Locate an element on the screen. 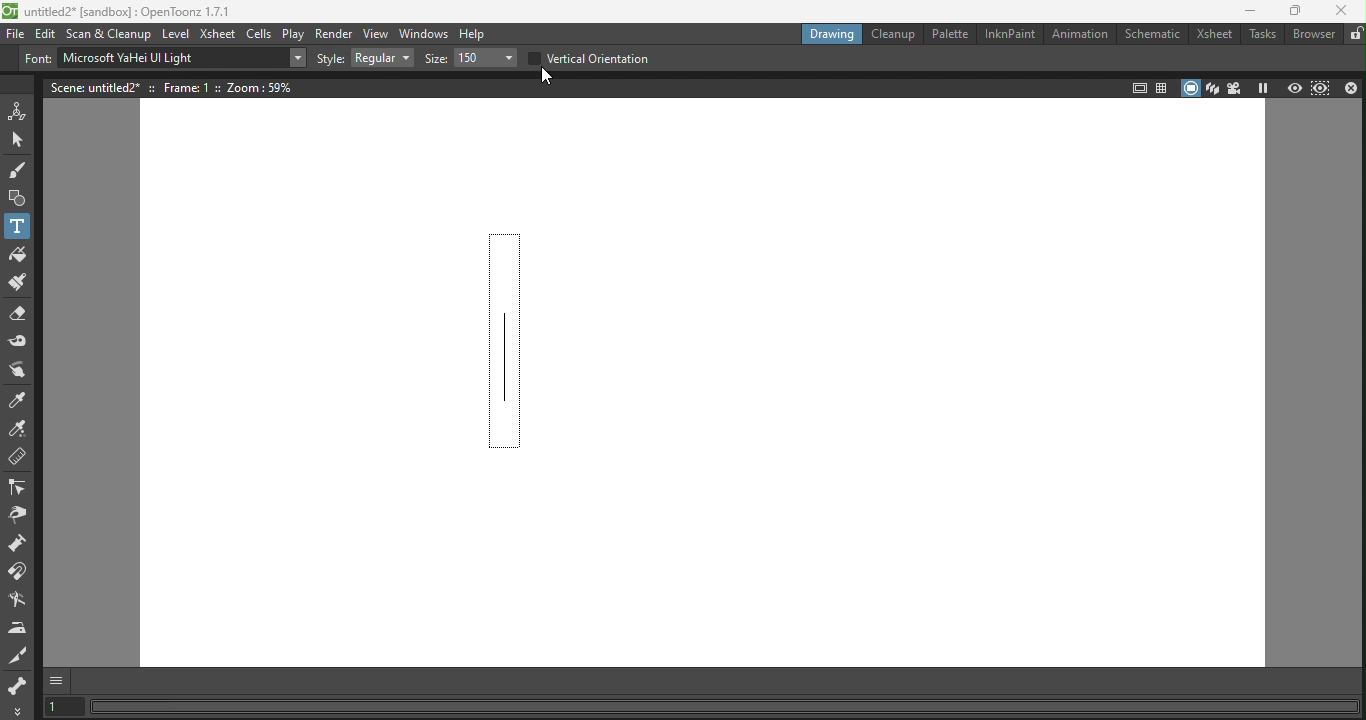  Cursor is located at coordinates (543, 75).